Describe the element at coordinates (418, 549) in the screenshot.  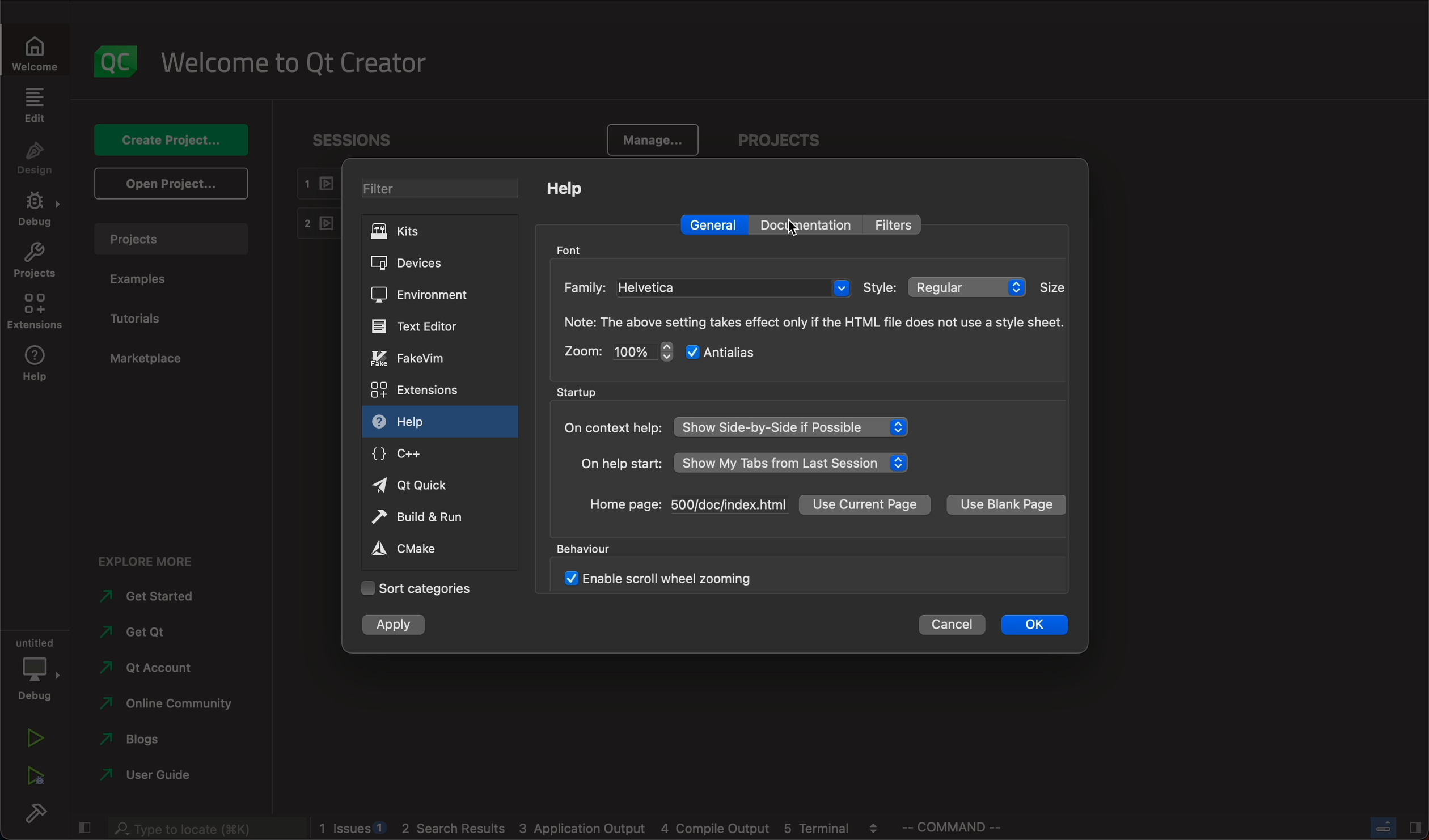
I see `cmake` at that location.